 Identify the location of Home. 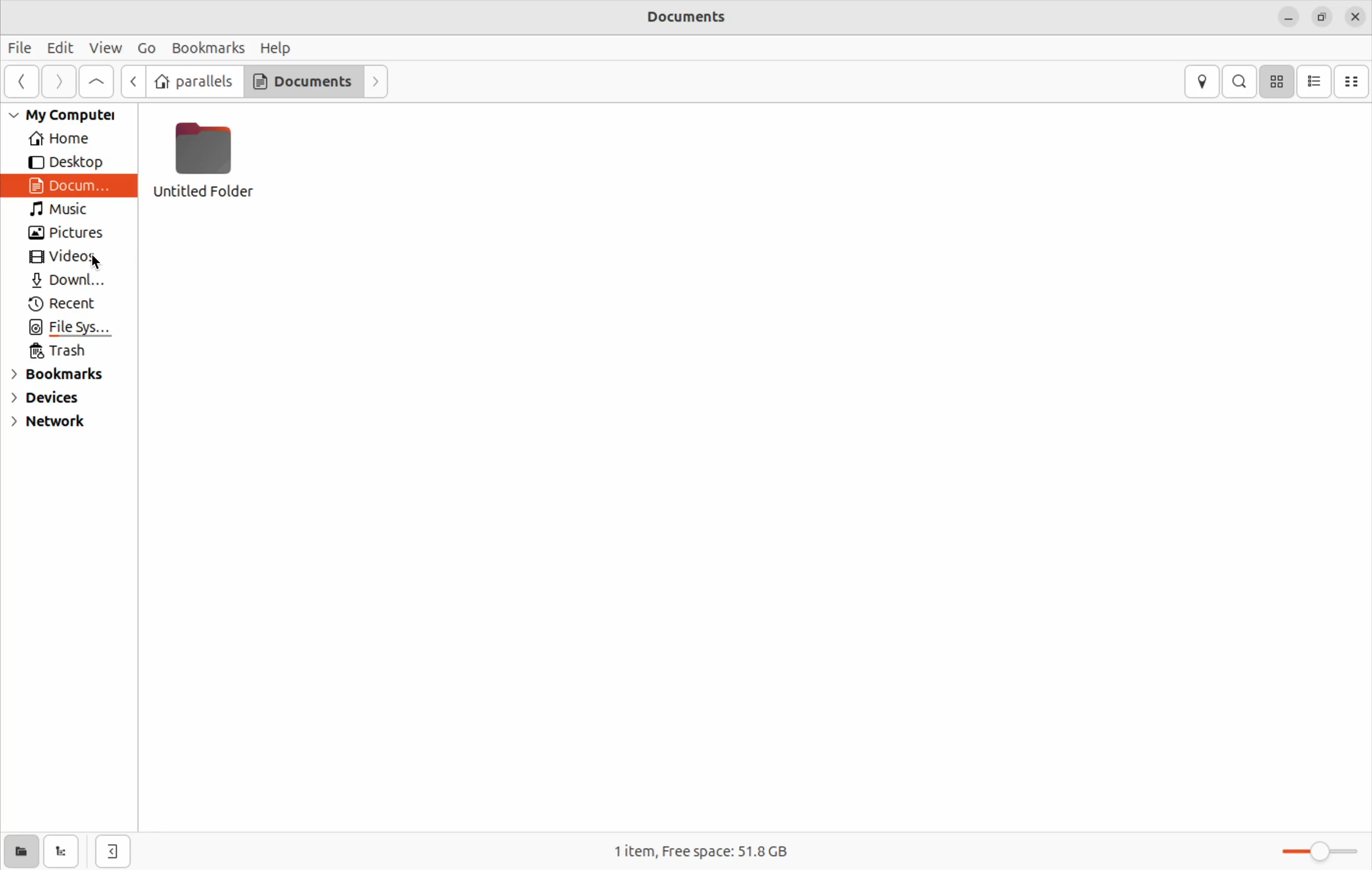
(65, 140).